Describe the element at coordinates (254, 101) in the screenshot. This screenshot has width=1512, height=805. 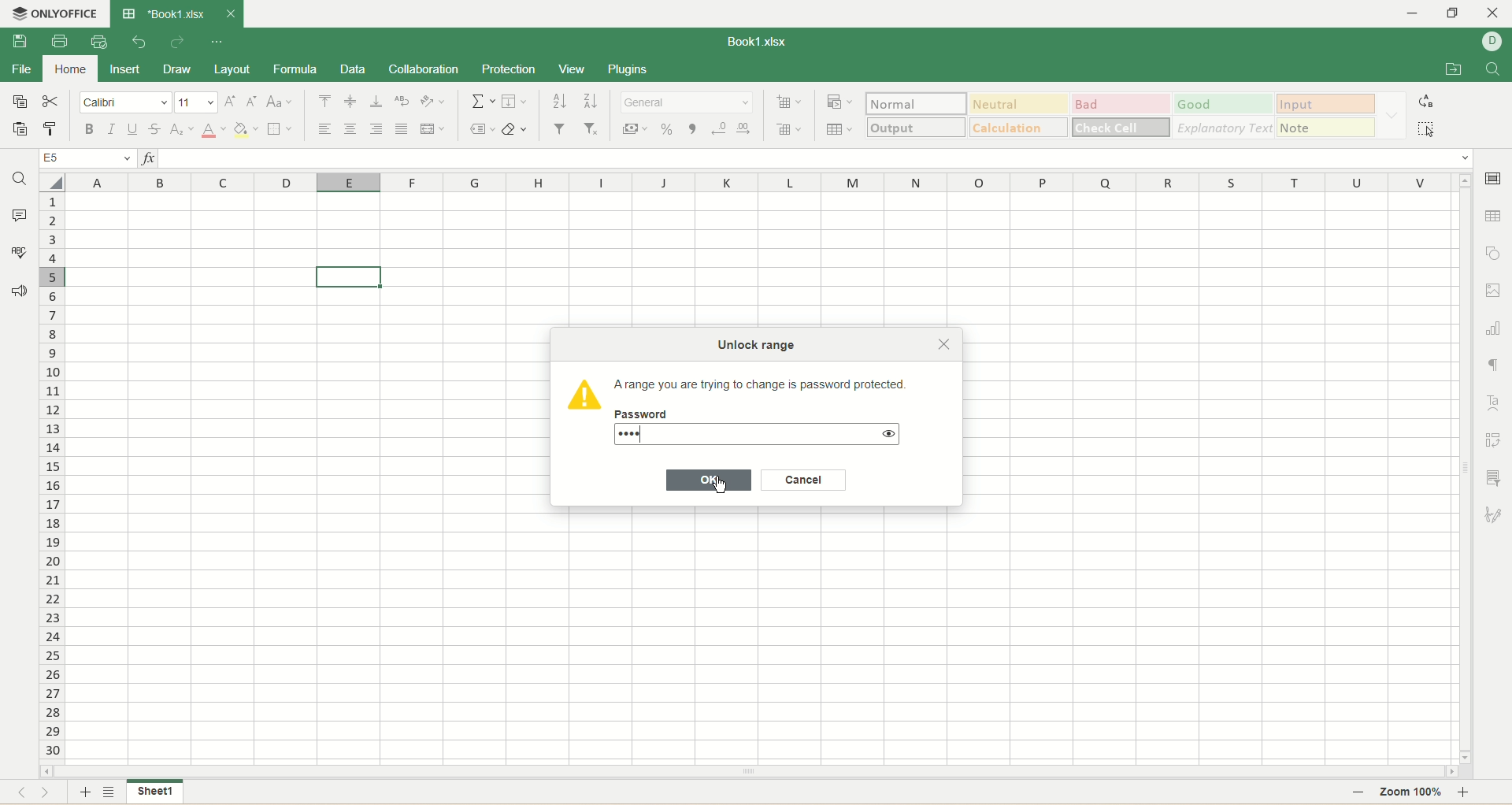
I see `decrease size` at that location.